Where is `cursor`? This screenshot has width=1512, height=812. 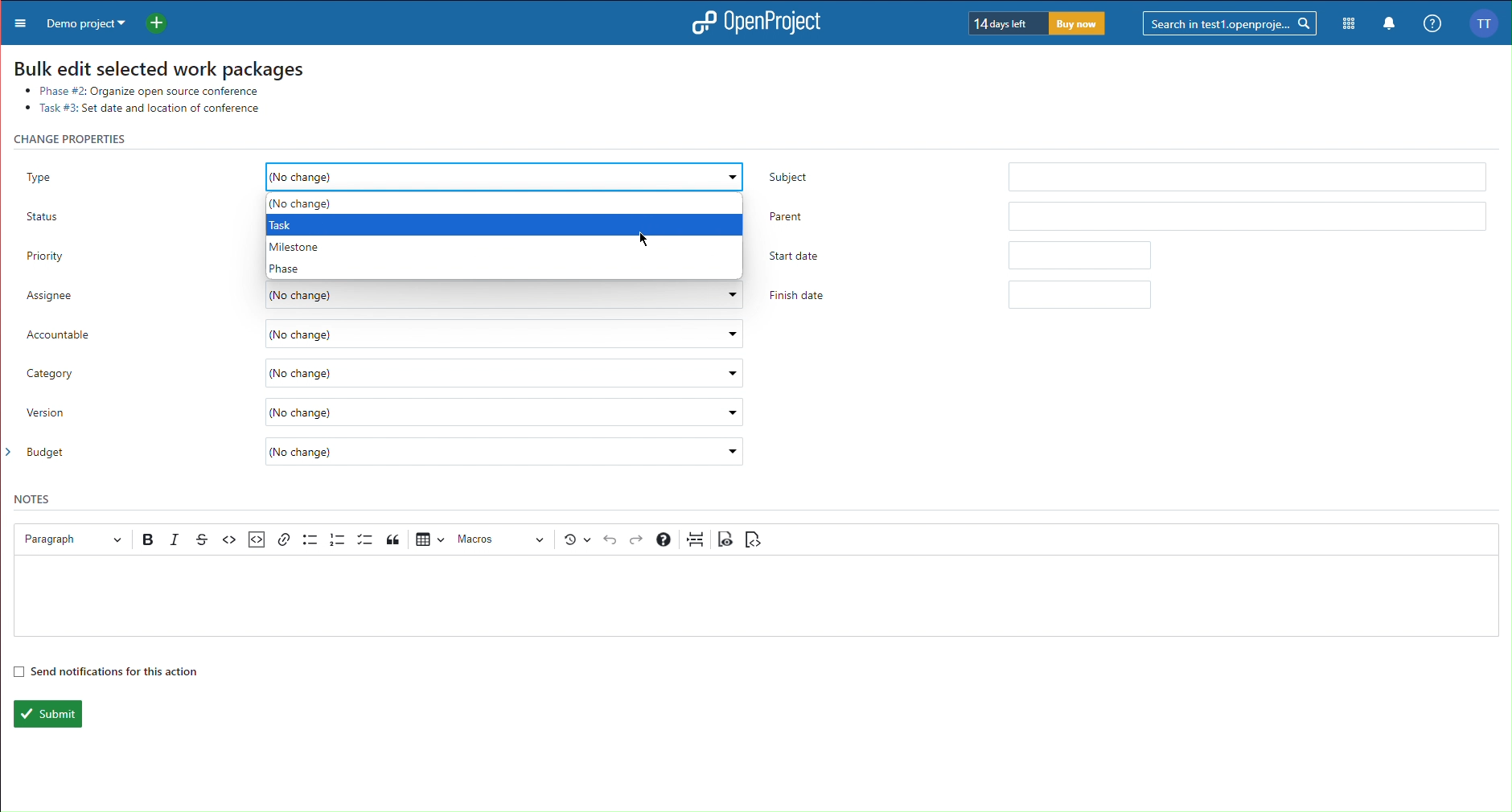
cursor is located at coordinates (640, 243).